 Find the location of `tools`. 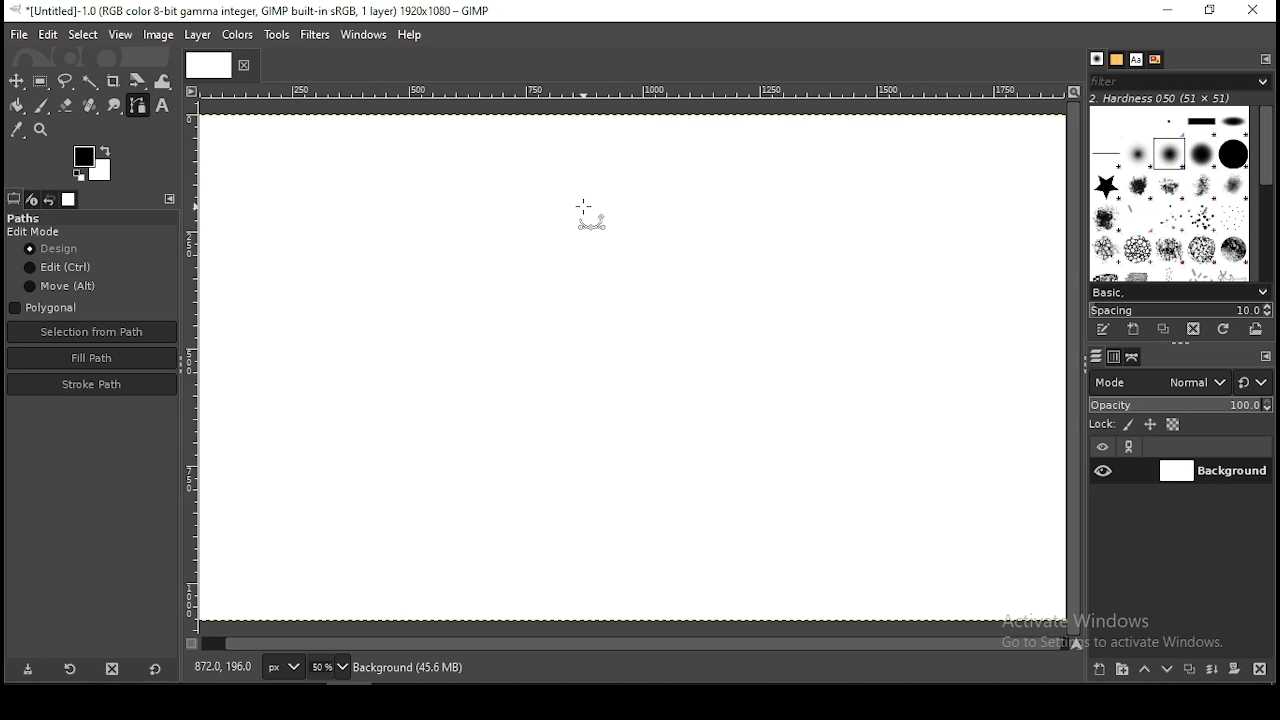

tools is located at coordinates (276, 35).